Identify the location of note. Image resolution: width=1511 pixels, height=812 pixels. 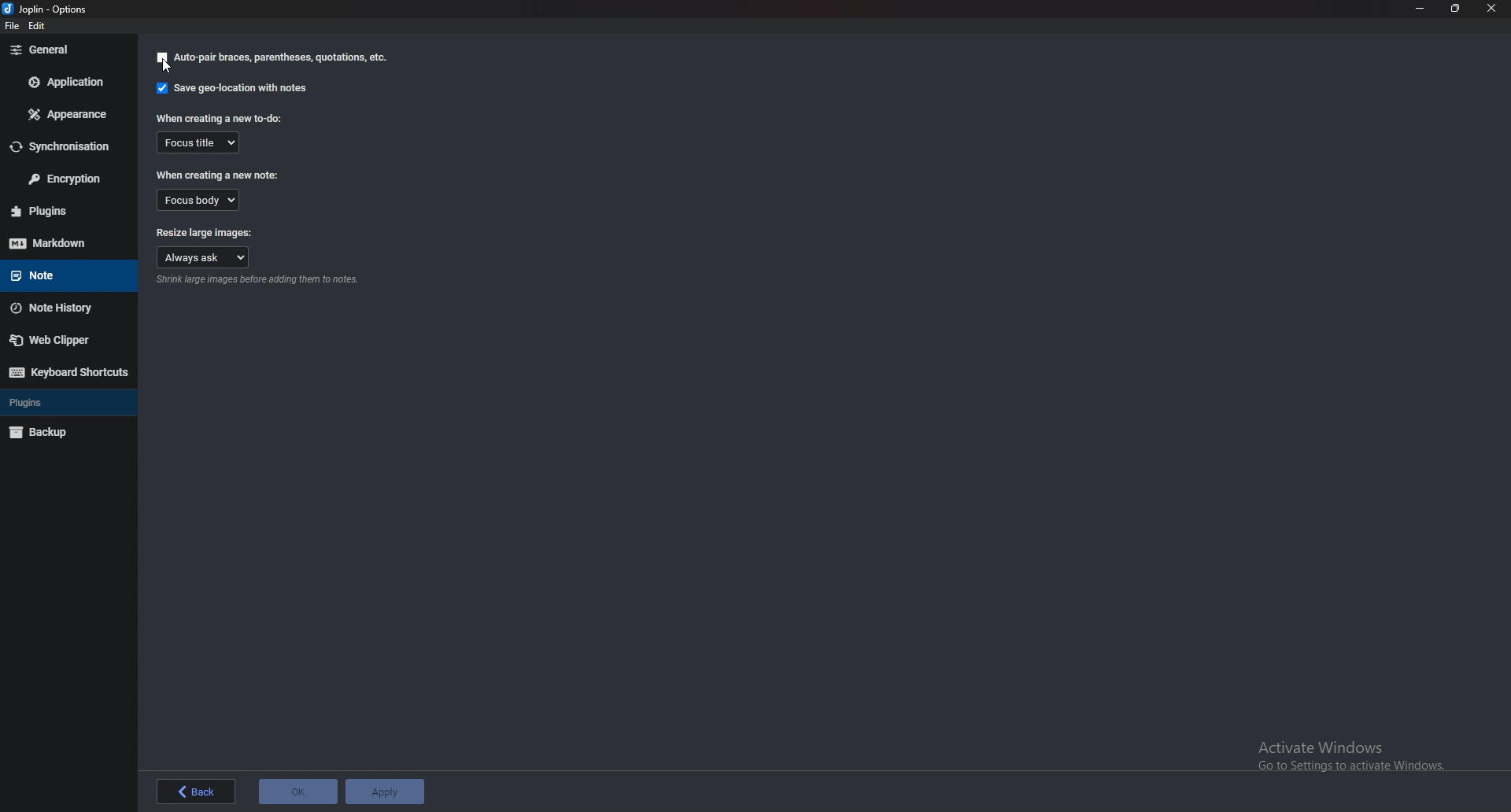
(60, 276).